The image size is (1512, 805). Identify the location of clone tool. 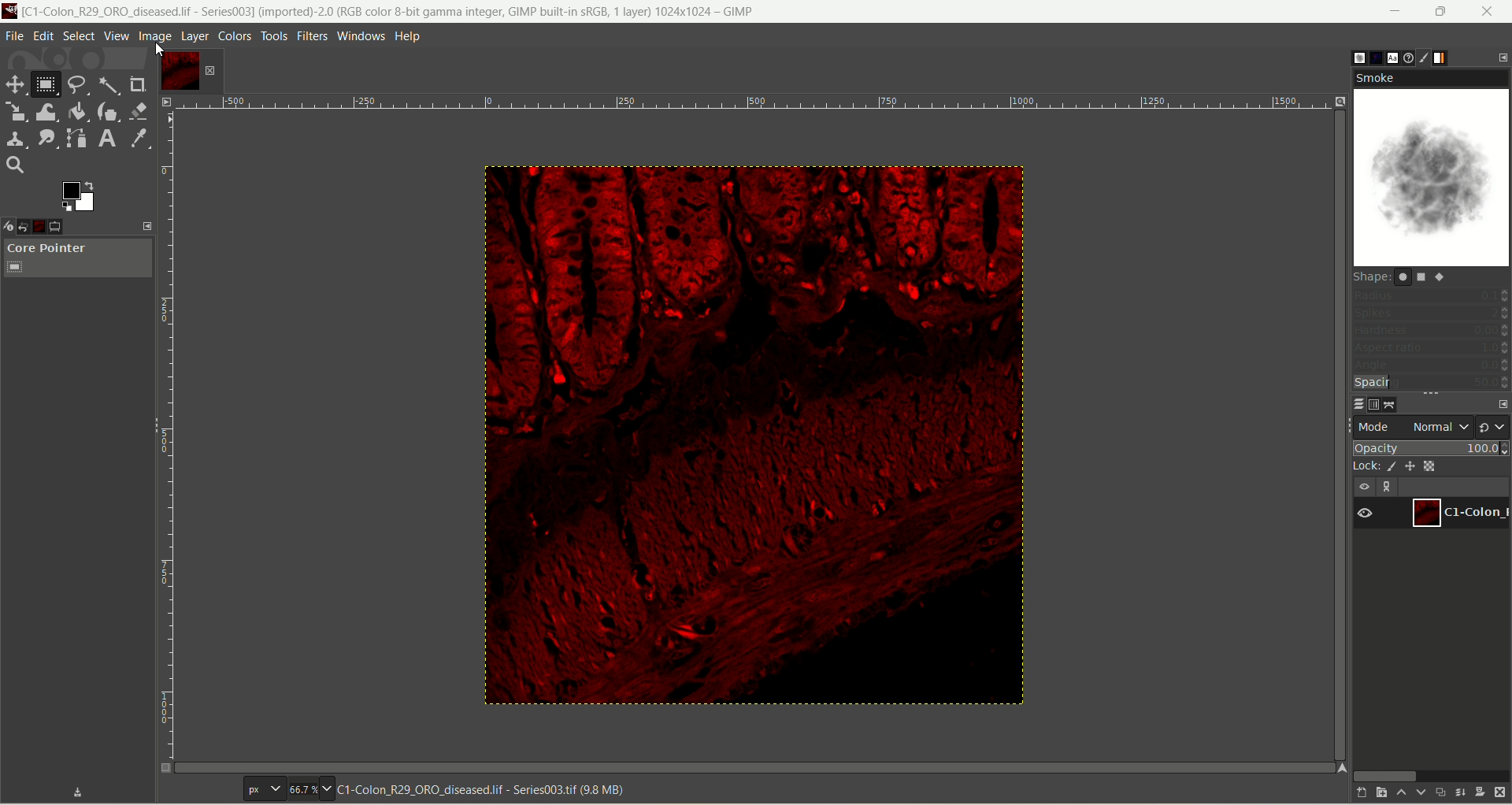
(17, 138).